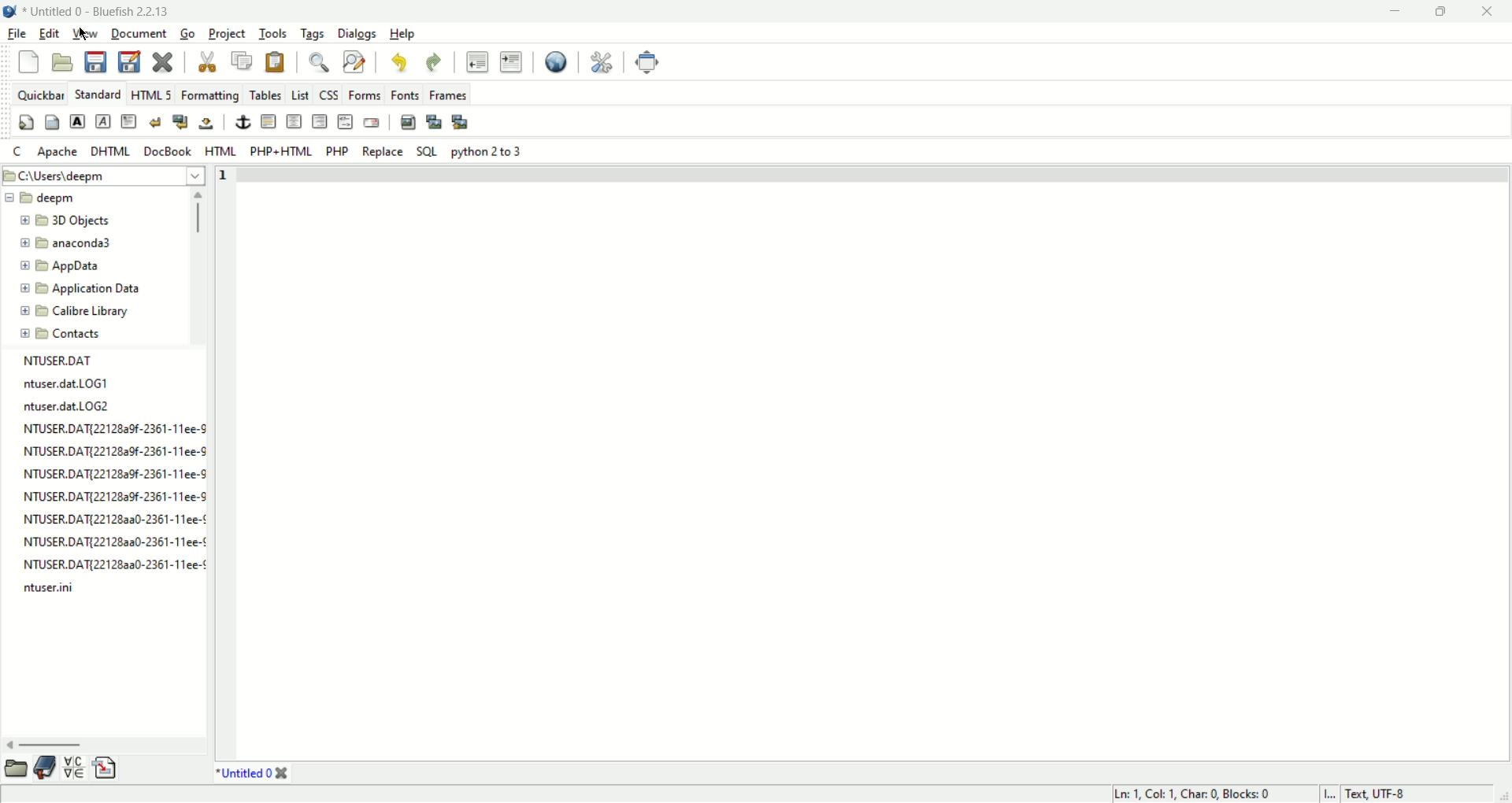 The height and width of the screenshot is (803, 1512). What do you see at coordinates (106, 769) in the screenshot?
I see `snippet` at bounding box center [106, 769].